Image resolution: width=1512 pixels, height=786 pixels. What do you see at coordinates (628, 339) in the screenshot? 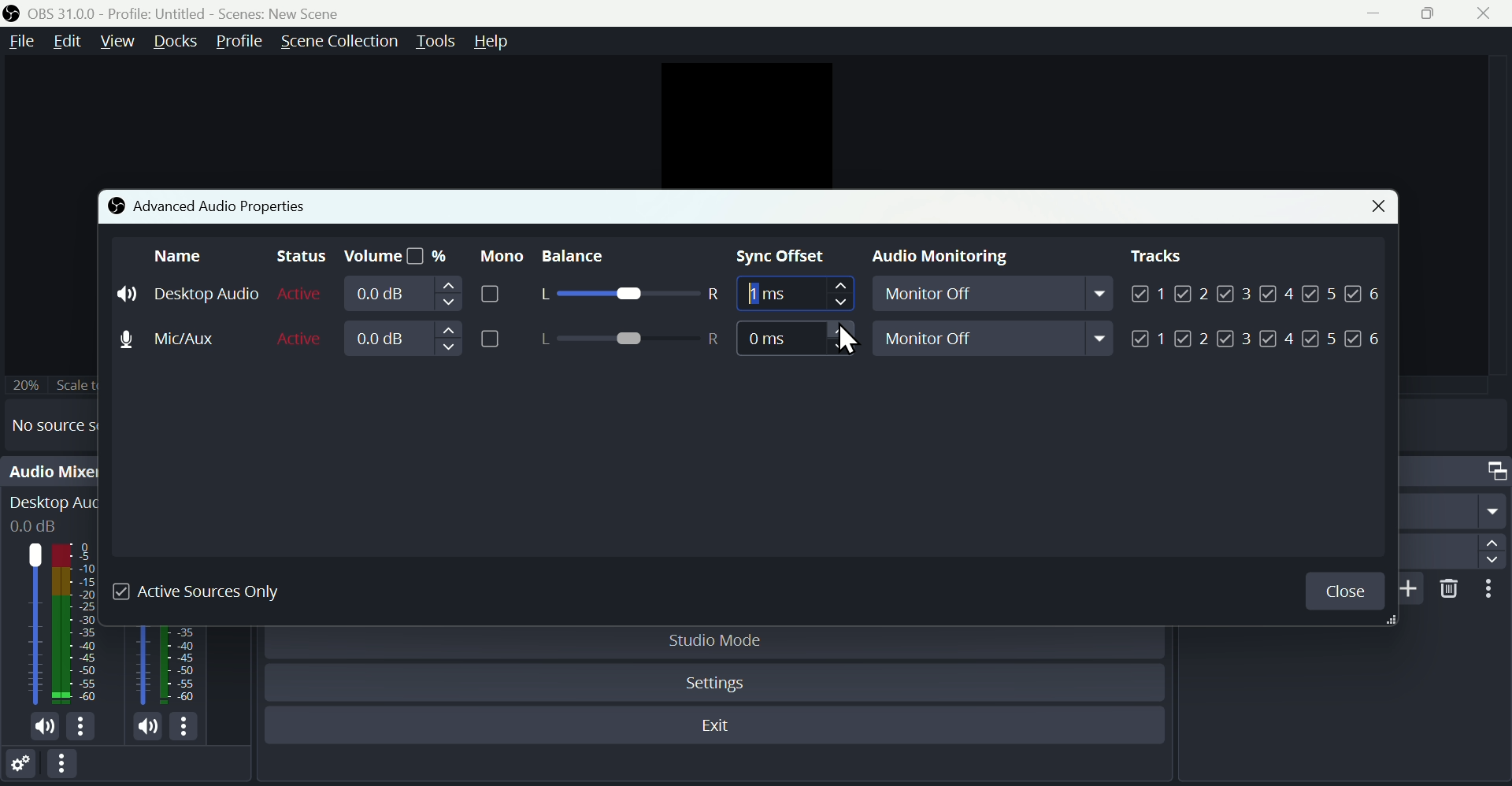
I see `Balance slider` at bounding box center [628, 339].